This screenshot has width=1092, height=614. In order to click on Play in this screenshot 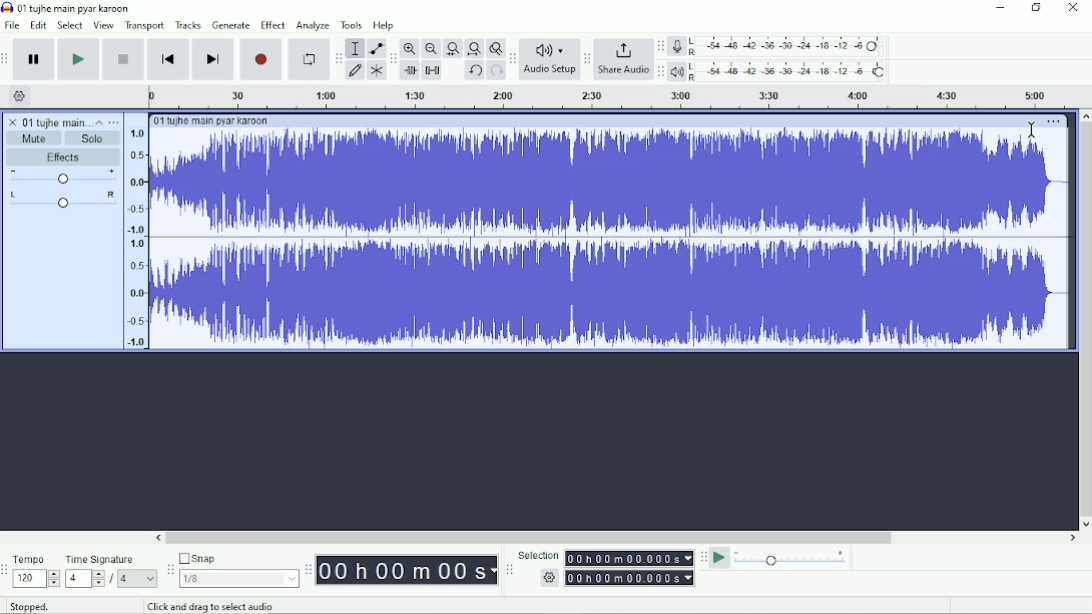, I will do `click(78, 59)`.